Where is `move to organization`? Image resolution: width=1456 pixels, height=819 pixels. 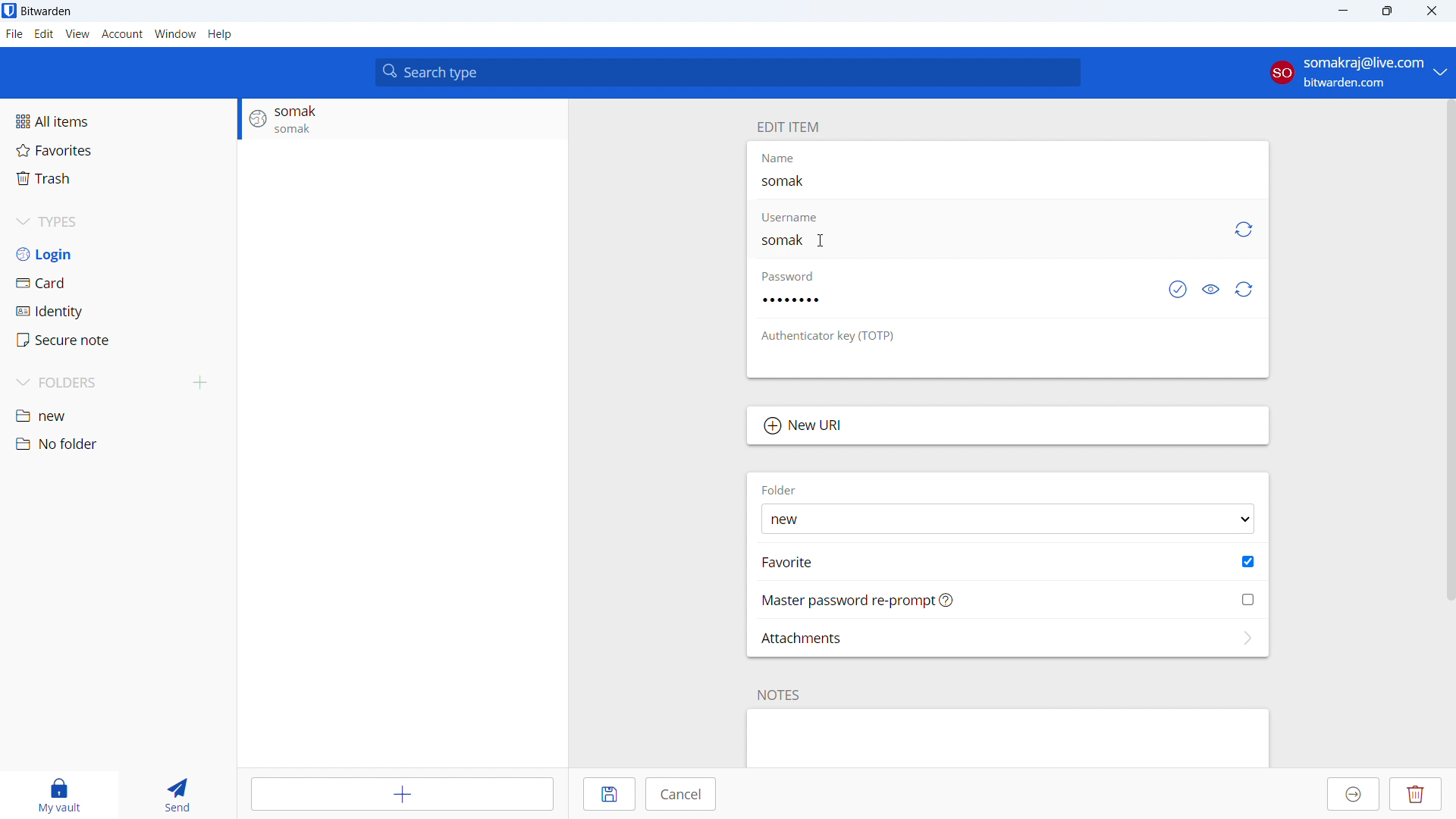
move to organization is located at coordinates (1354, 794).